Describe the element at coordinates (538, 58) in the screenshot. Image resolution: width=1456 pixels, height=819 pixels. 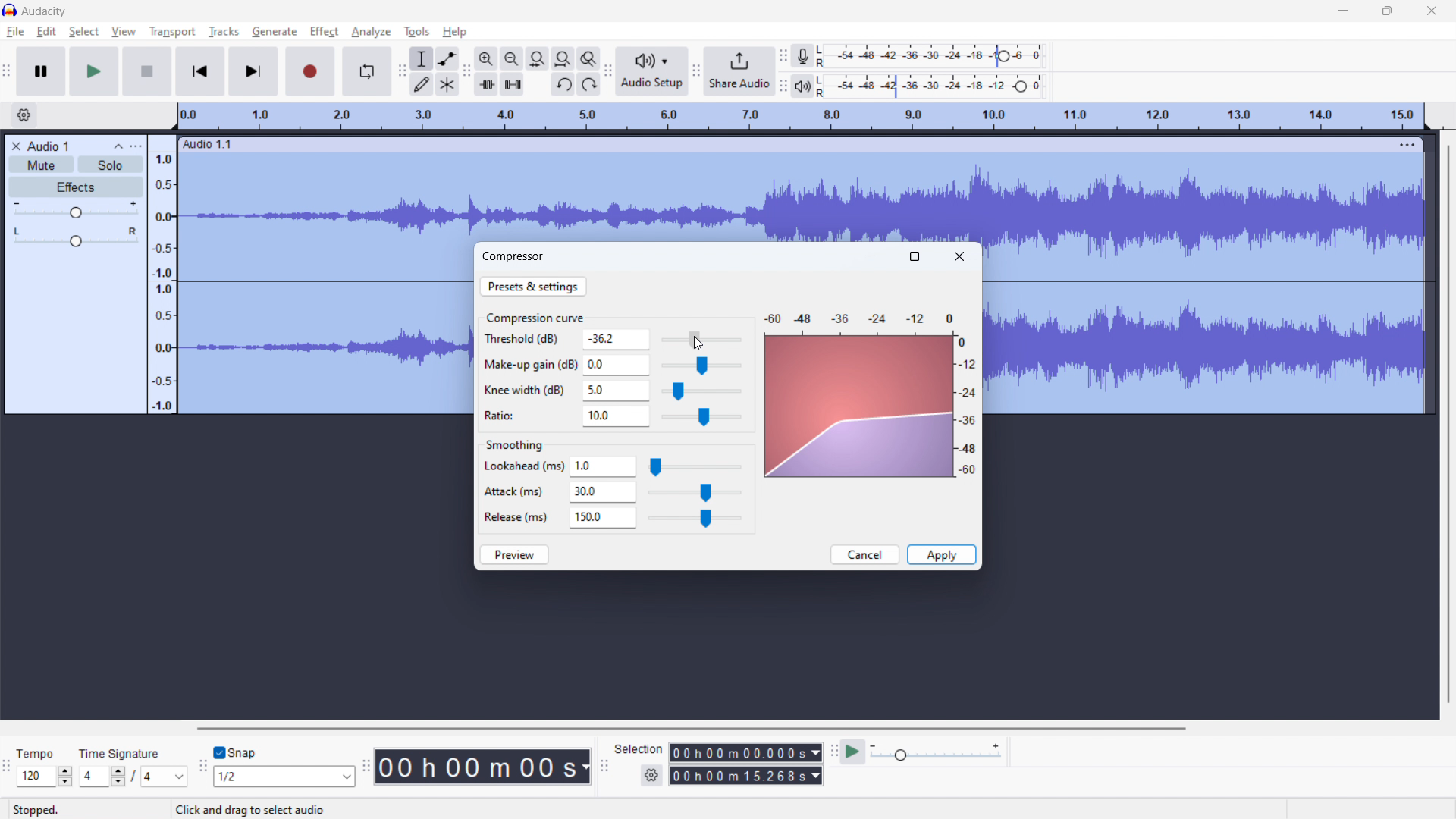
I see `fit selection to width` at that location.